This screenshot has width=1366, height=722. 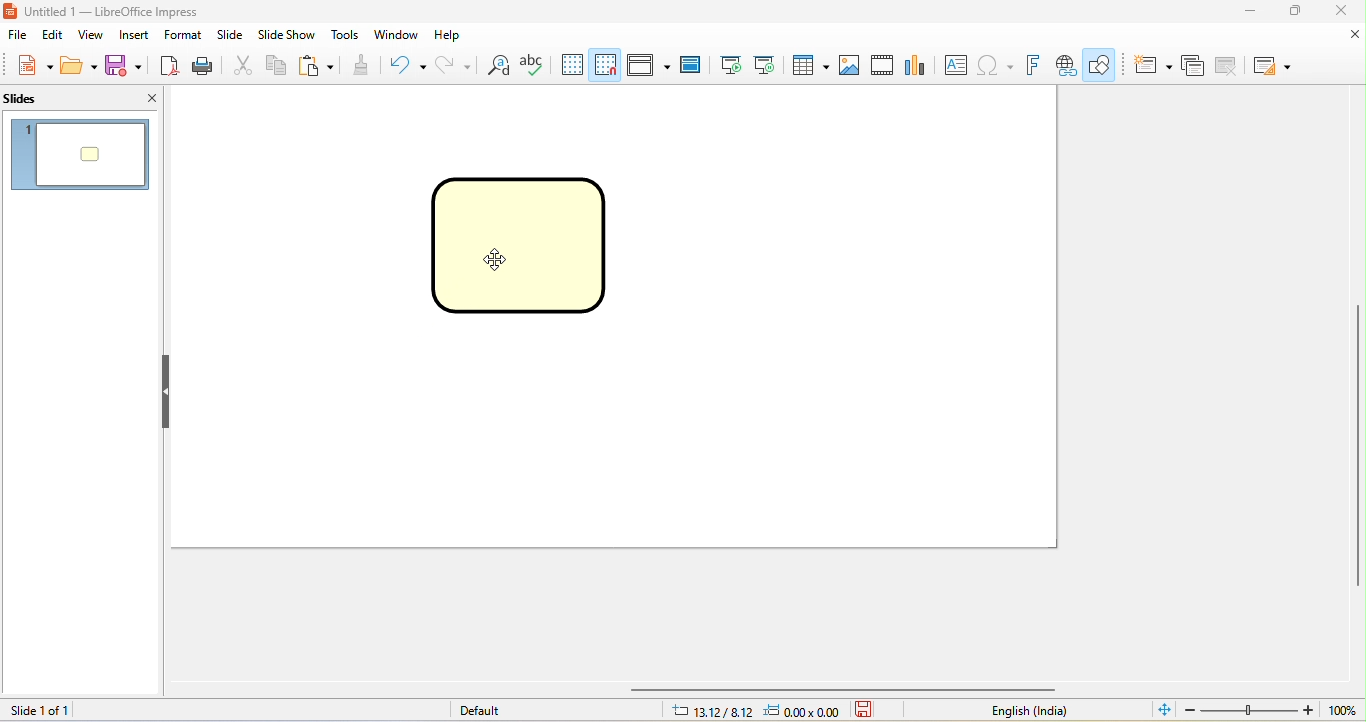 What do you see at coordinates (1273, 65) in the screenshot?
I see `slide layout` at bounding box center [1273, 65].